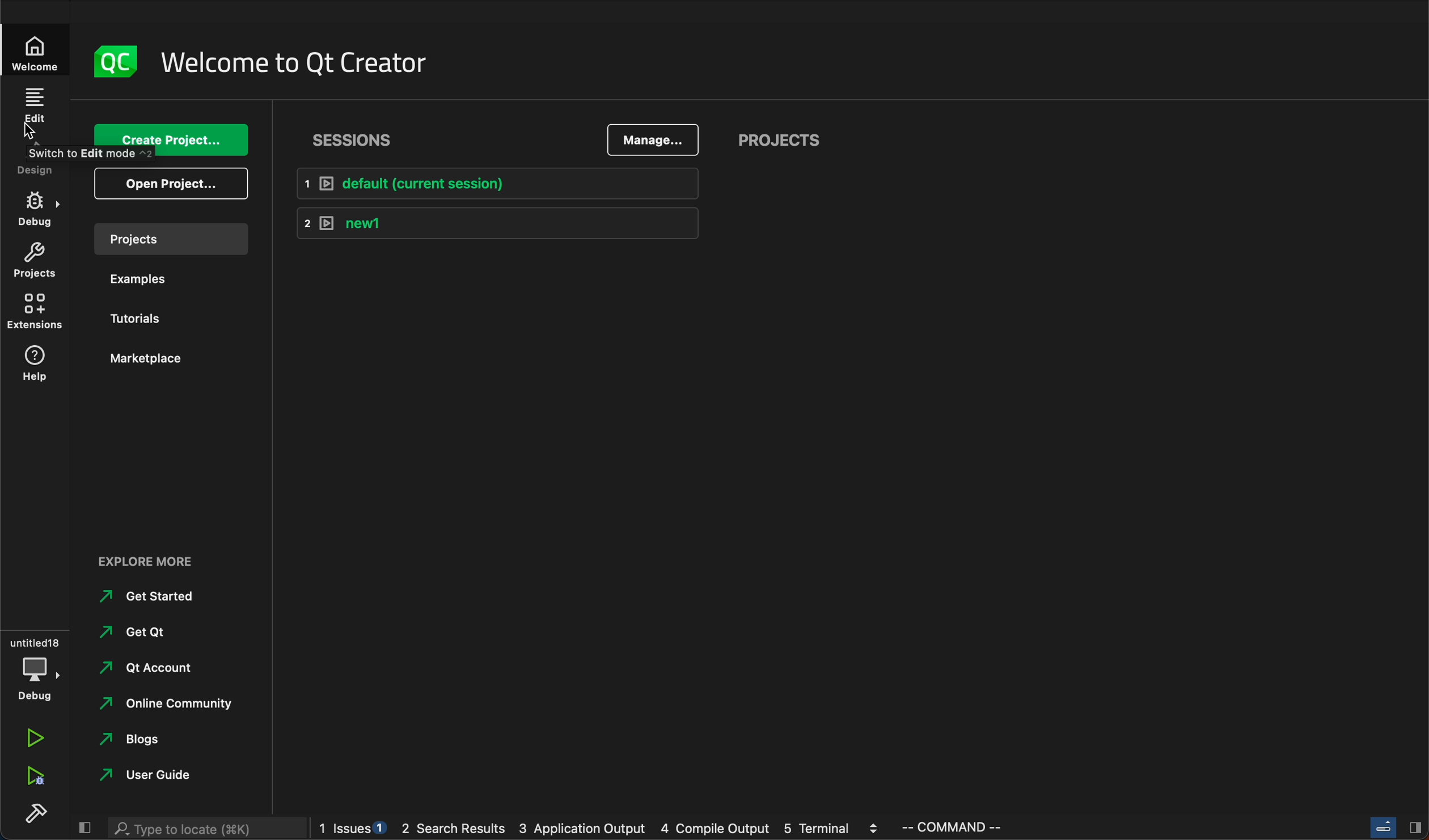 The height and width of the screenshot is (840, 1429). Describe the element at coordinates (366, 138) in the screenshot. I see `sessions` at that location.